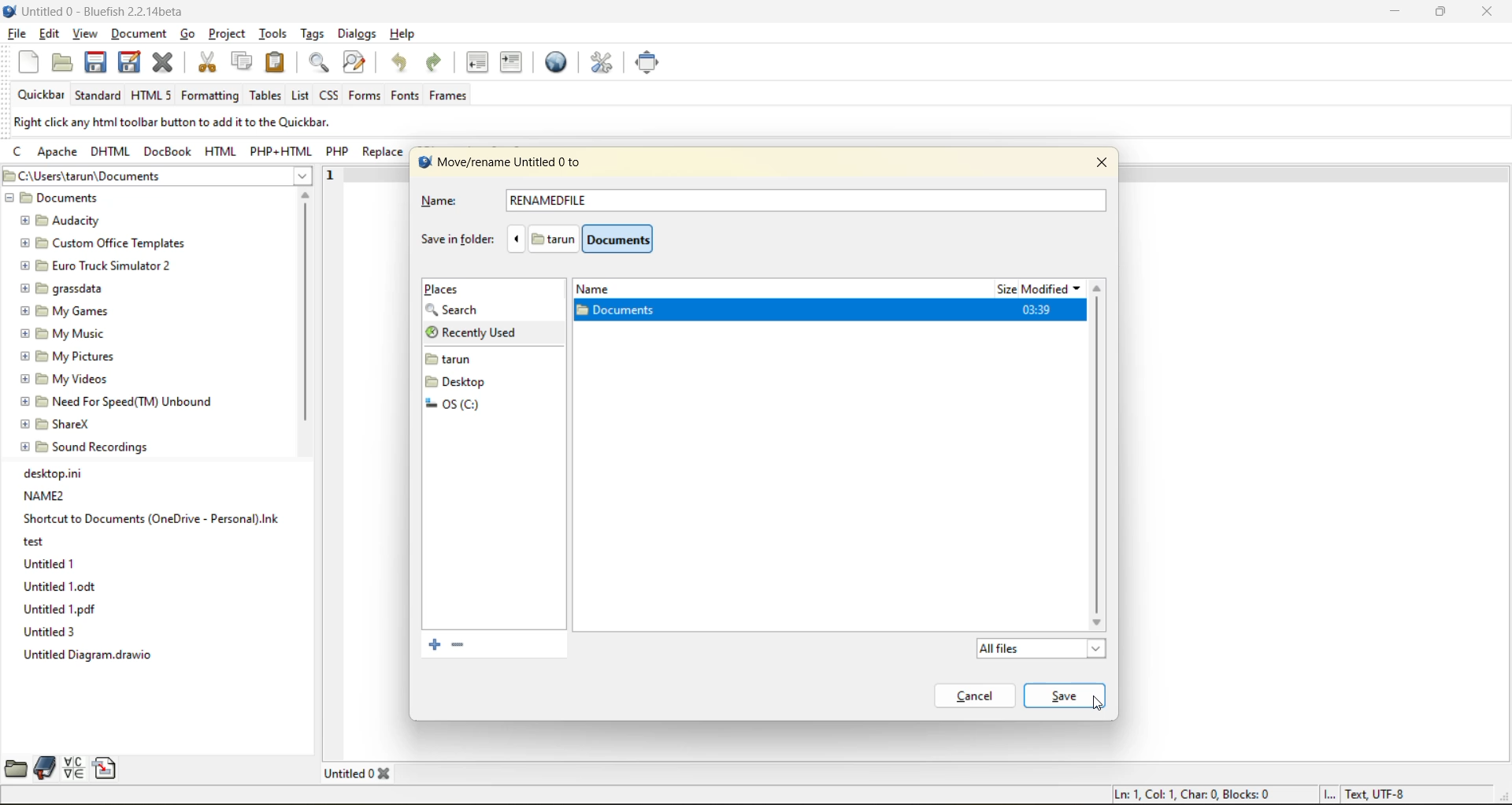 The image size is (1512, 805). I want to click on cancel, so click(979, 696).